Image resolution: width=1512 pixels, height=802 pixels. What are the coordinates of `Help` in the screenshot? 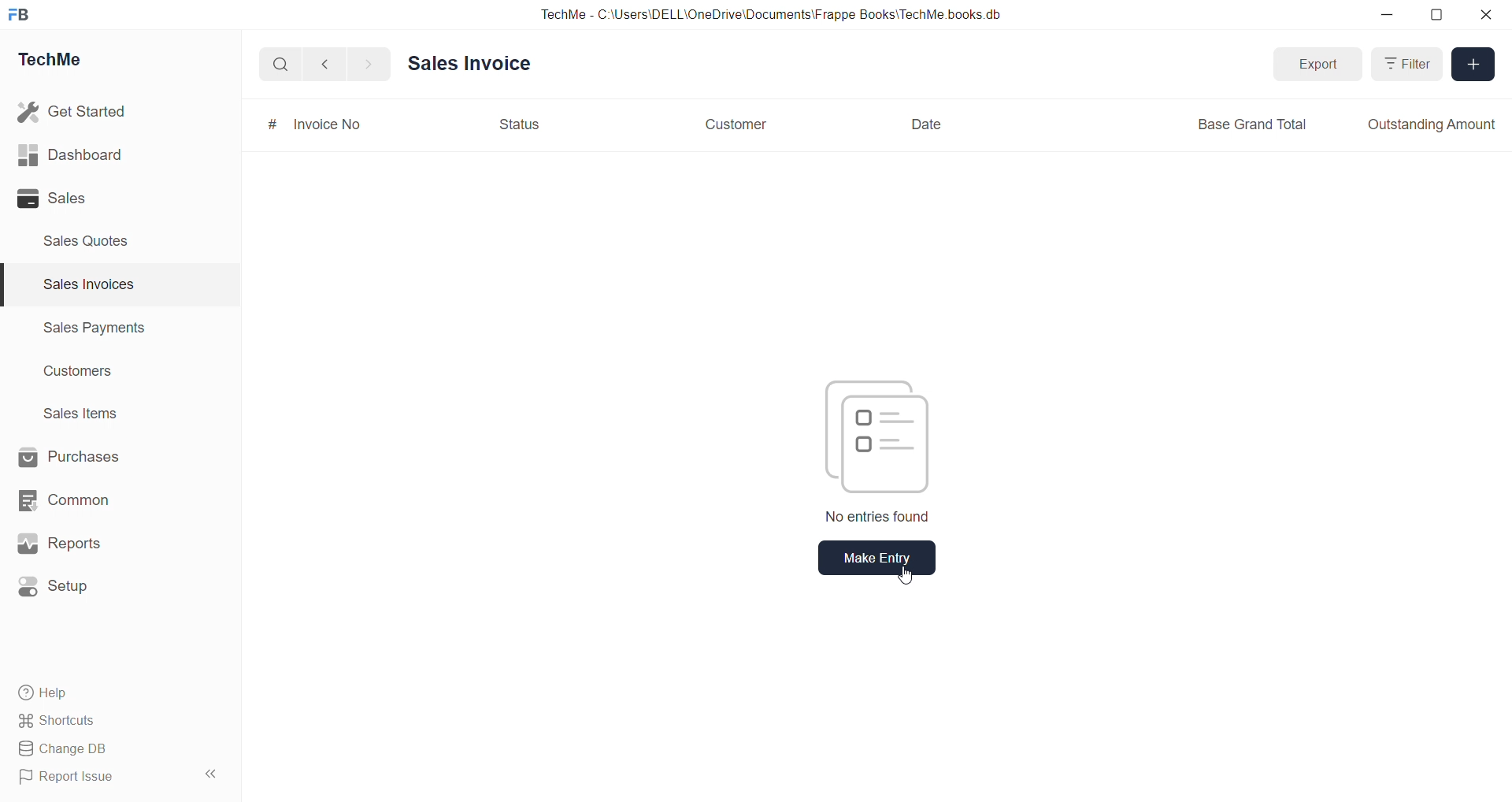 It's located at (46, 693).